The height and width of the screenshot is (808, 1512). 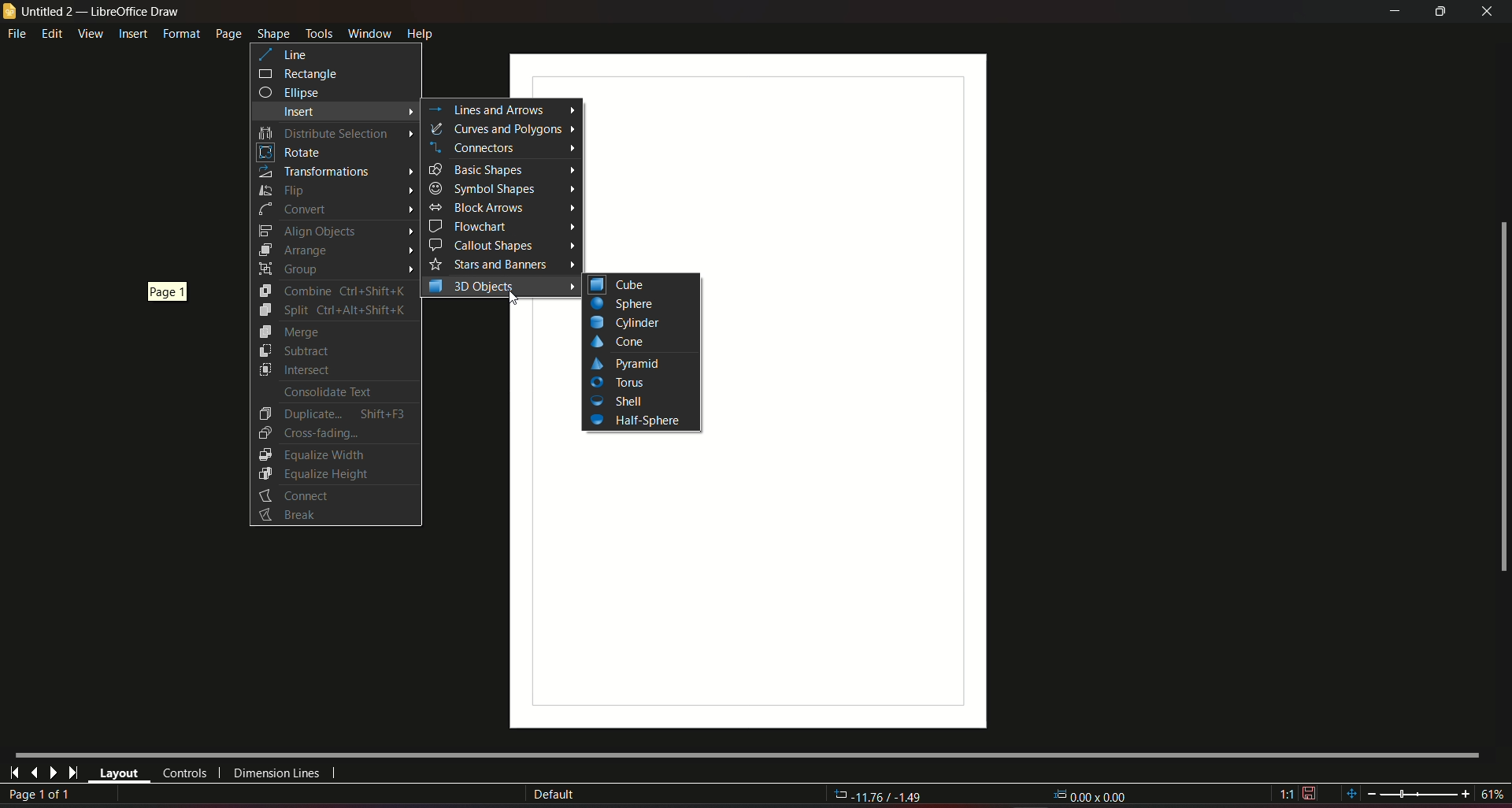 I want to click on close, so click(x=1488, y=11).